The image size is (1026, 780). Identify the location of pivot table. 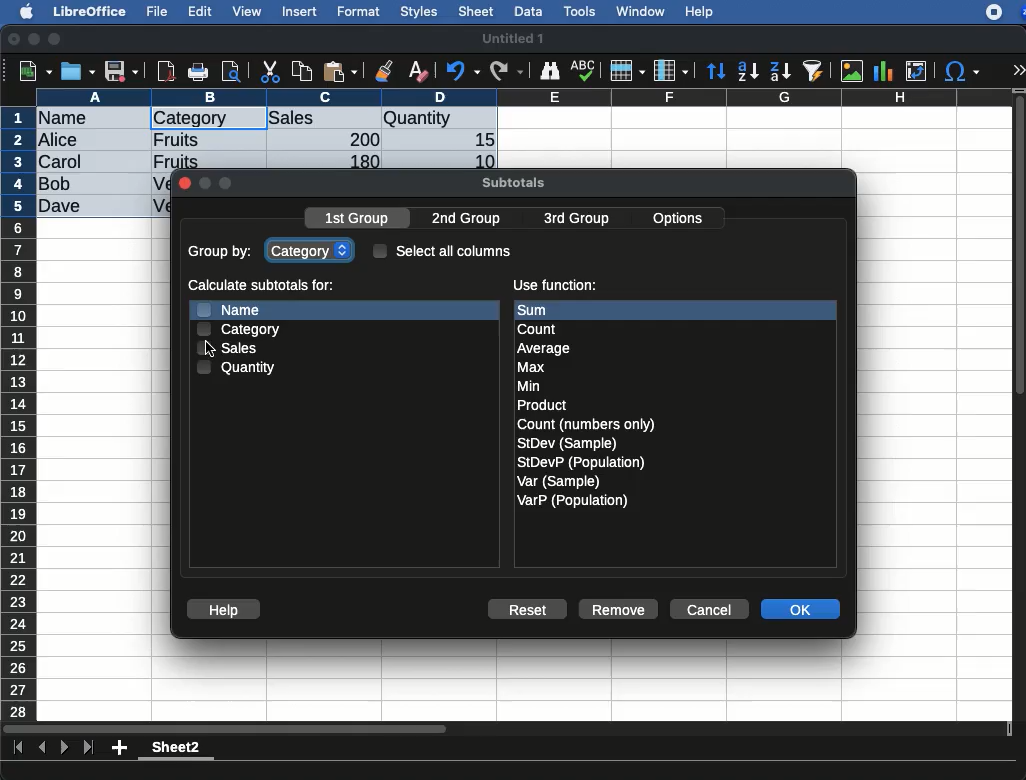
(916, 71).